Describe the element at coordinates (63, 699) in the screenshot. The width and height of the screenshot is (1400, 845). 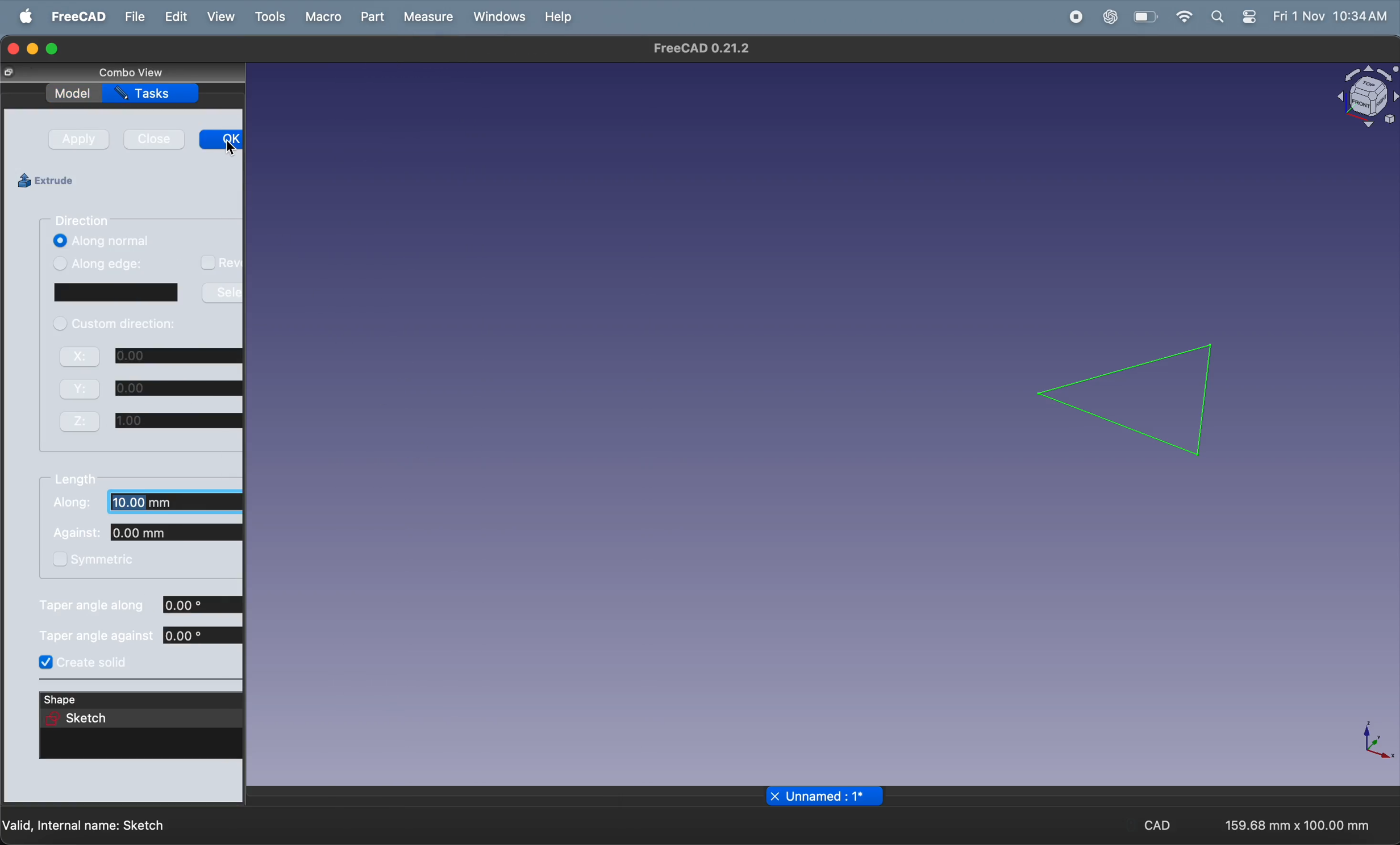
I see `shape` at that location.